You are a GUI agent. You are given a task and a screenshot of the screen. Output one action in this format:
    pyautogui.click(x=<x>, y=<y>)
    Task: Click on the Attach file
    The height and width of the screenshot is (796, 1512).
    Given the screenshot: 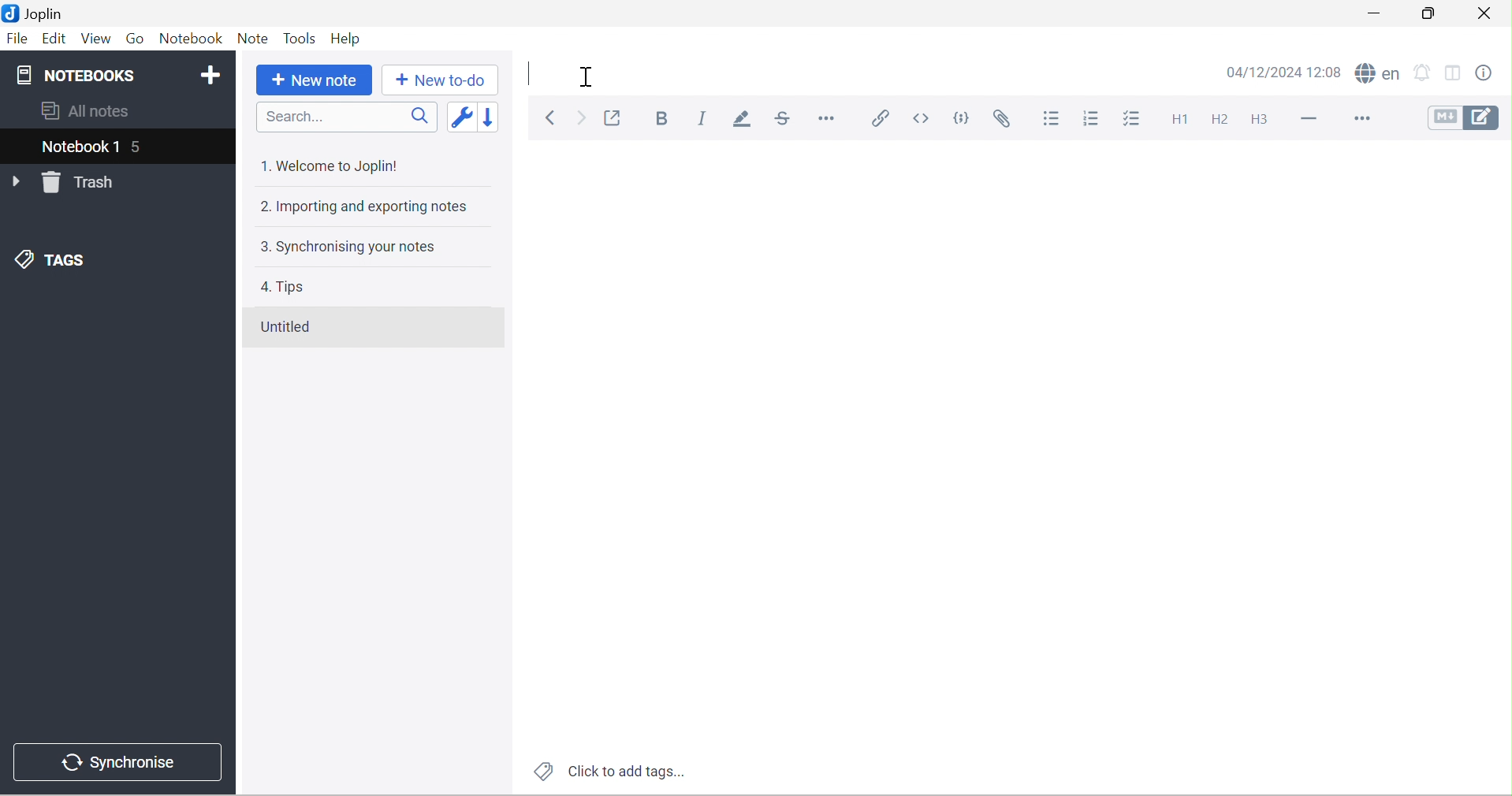 What is the action you would take?
    pyautogui.click(x=1011, y=119)
    